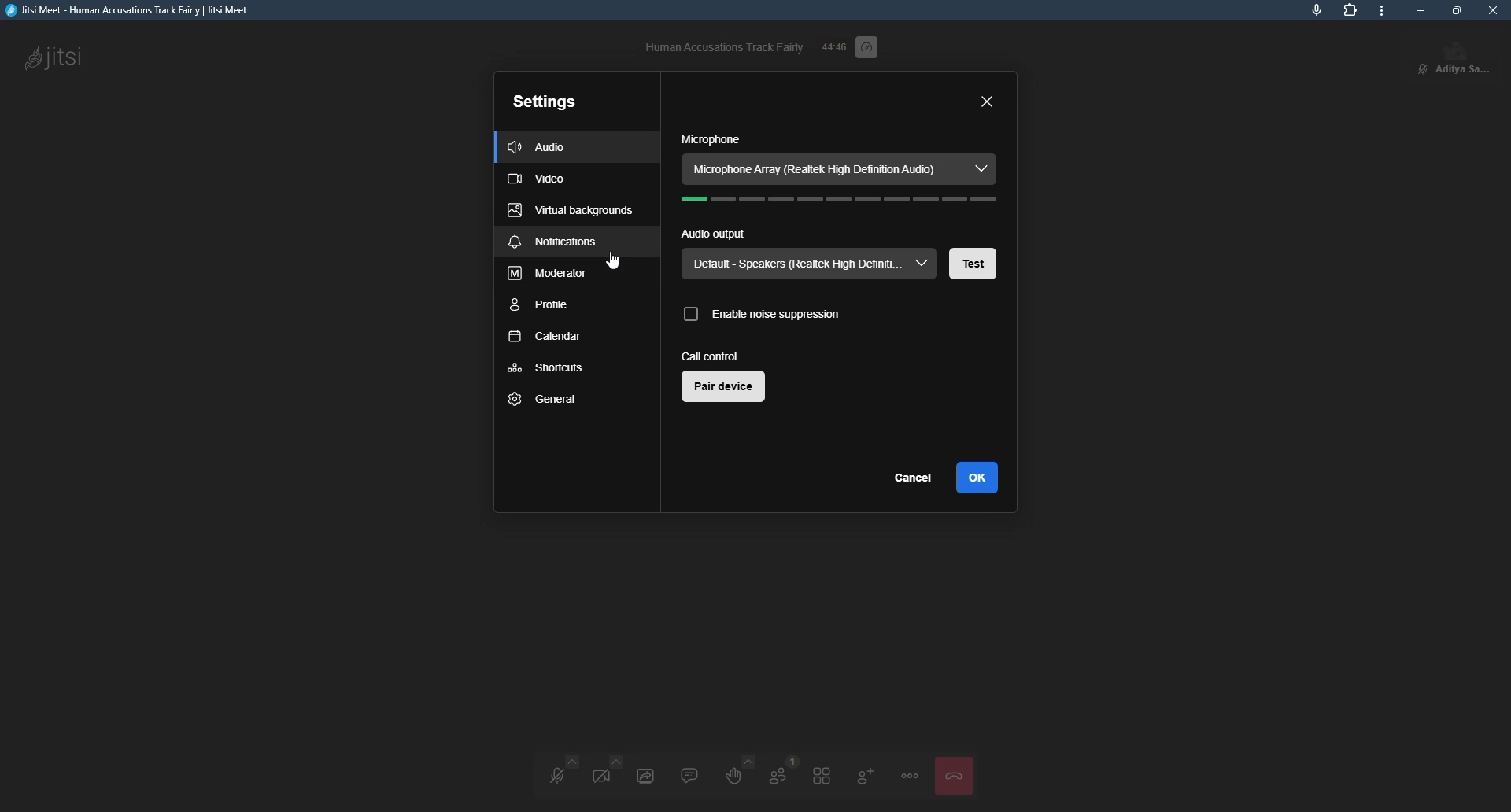  Describe the element at coordinates (1316, 8) in the screenshot. I see `mic` at that location.